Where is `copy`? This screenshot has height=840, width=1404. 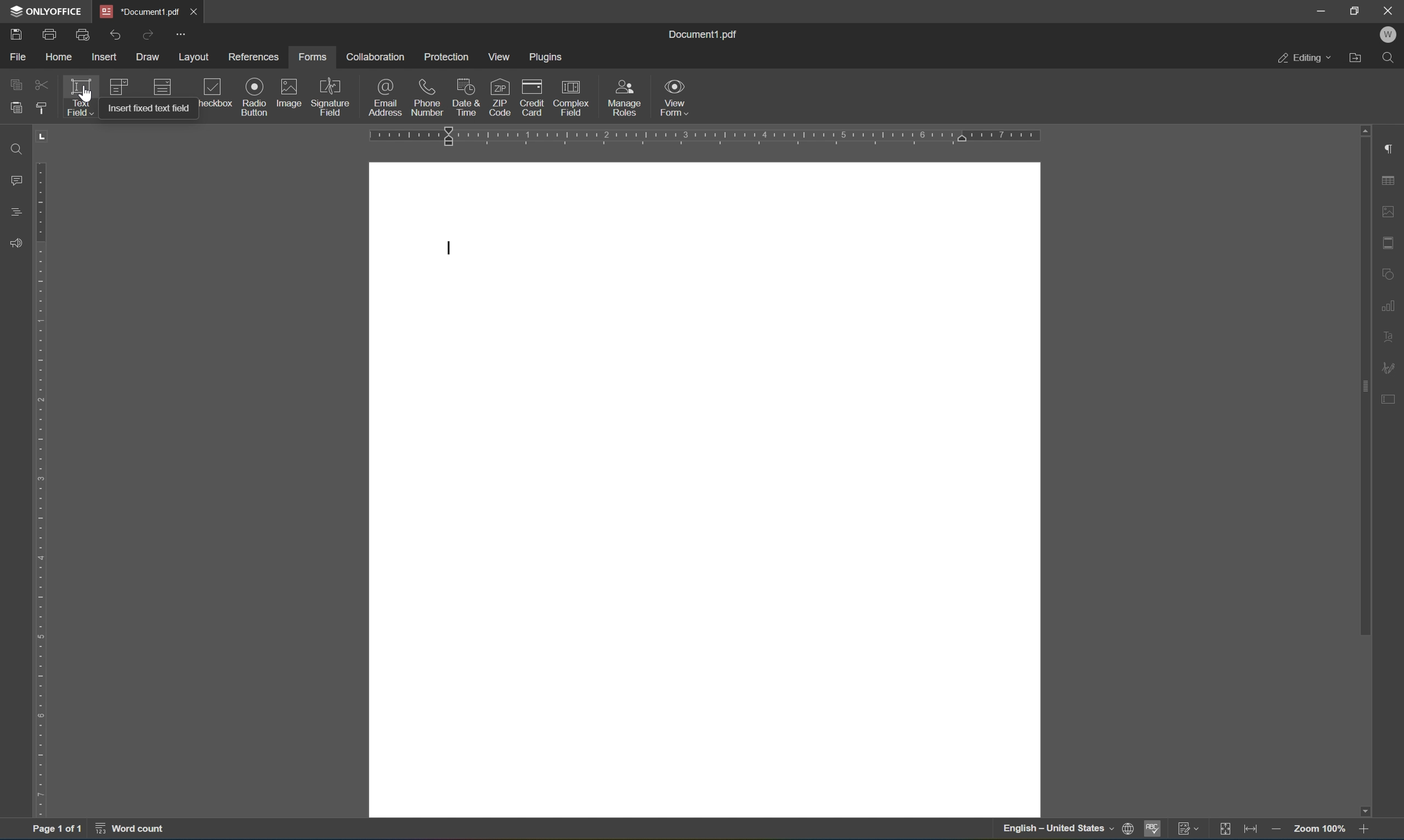 copy is located at coordinates (16, 82).